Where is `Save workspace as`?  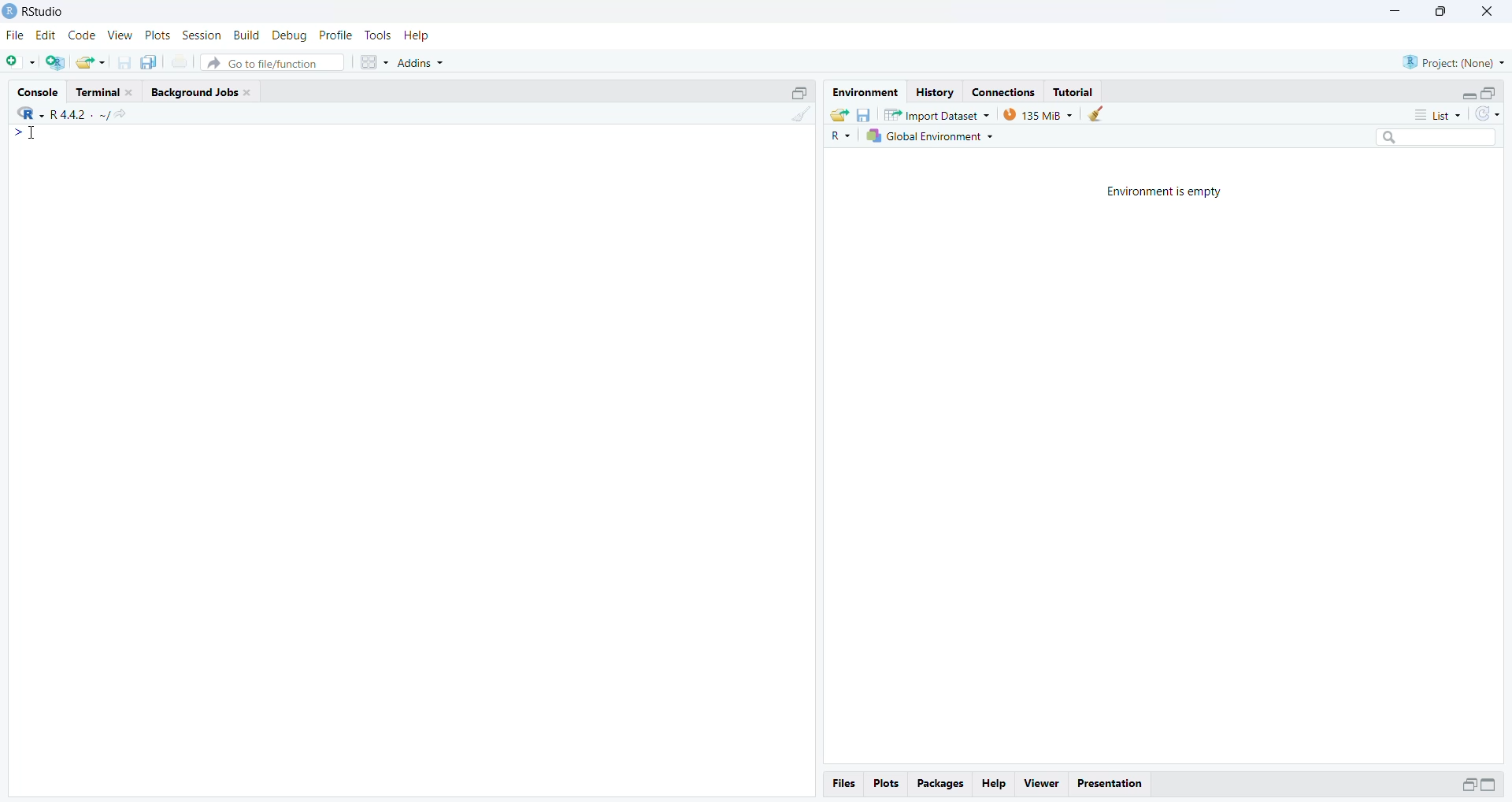
Save workspace as is located at coordinates (864, 113).